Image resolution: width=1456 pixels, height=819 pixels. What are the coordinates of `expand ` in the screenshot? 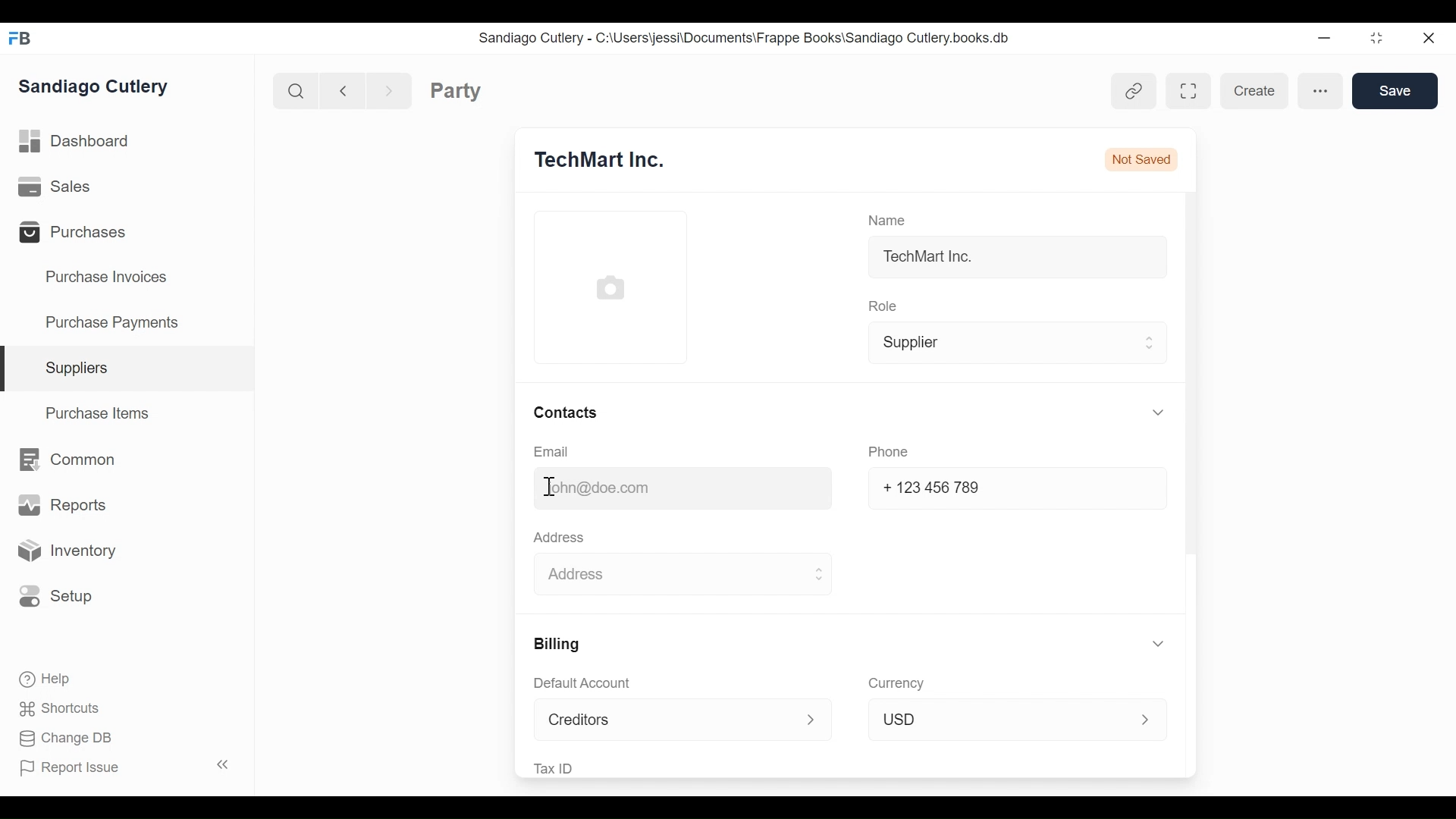 It's located at (1147, 415).